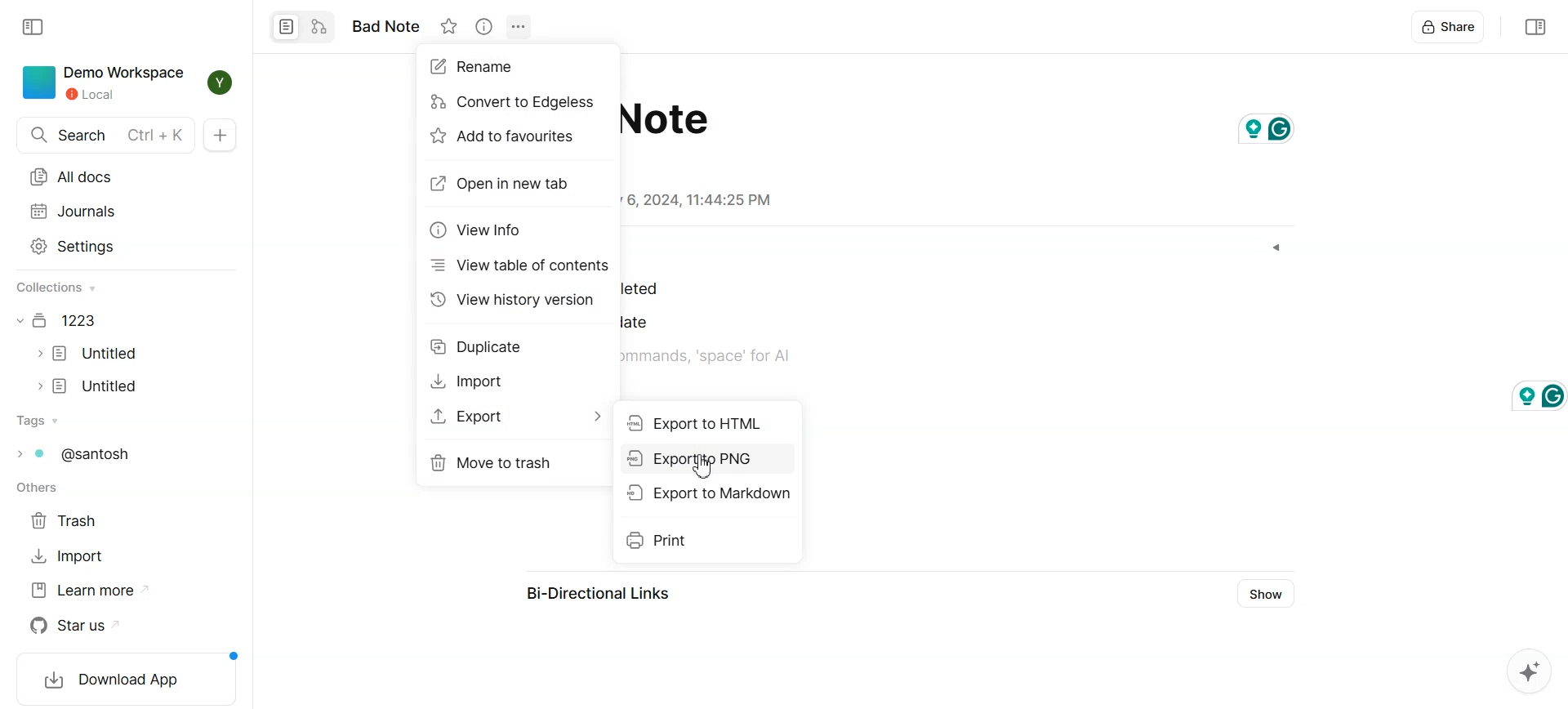  What do you see at coordinates (100, 82) in the screenshot?
I see `Demo Workspace` at bounding box center [100, 82].